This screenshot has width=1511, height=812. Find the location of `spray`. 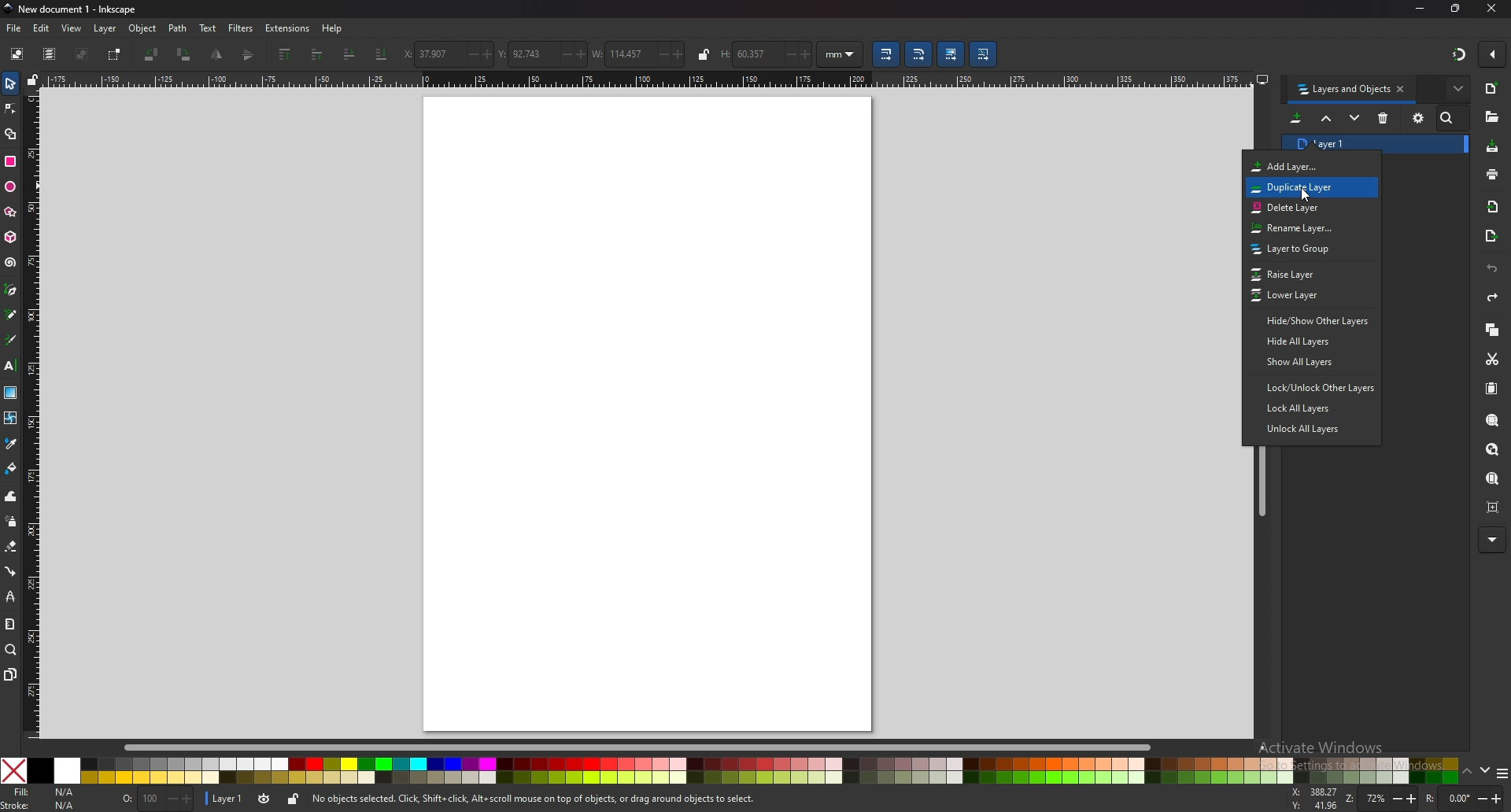

spray is located at coordinates (11, 520).